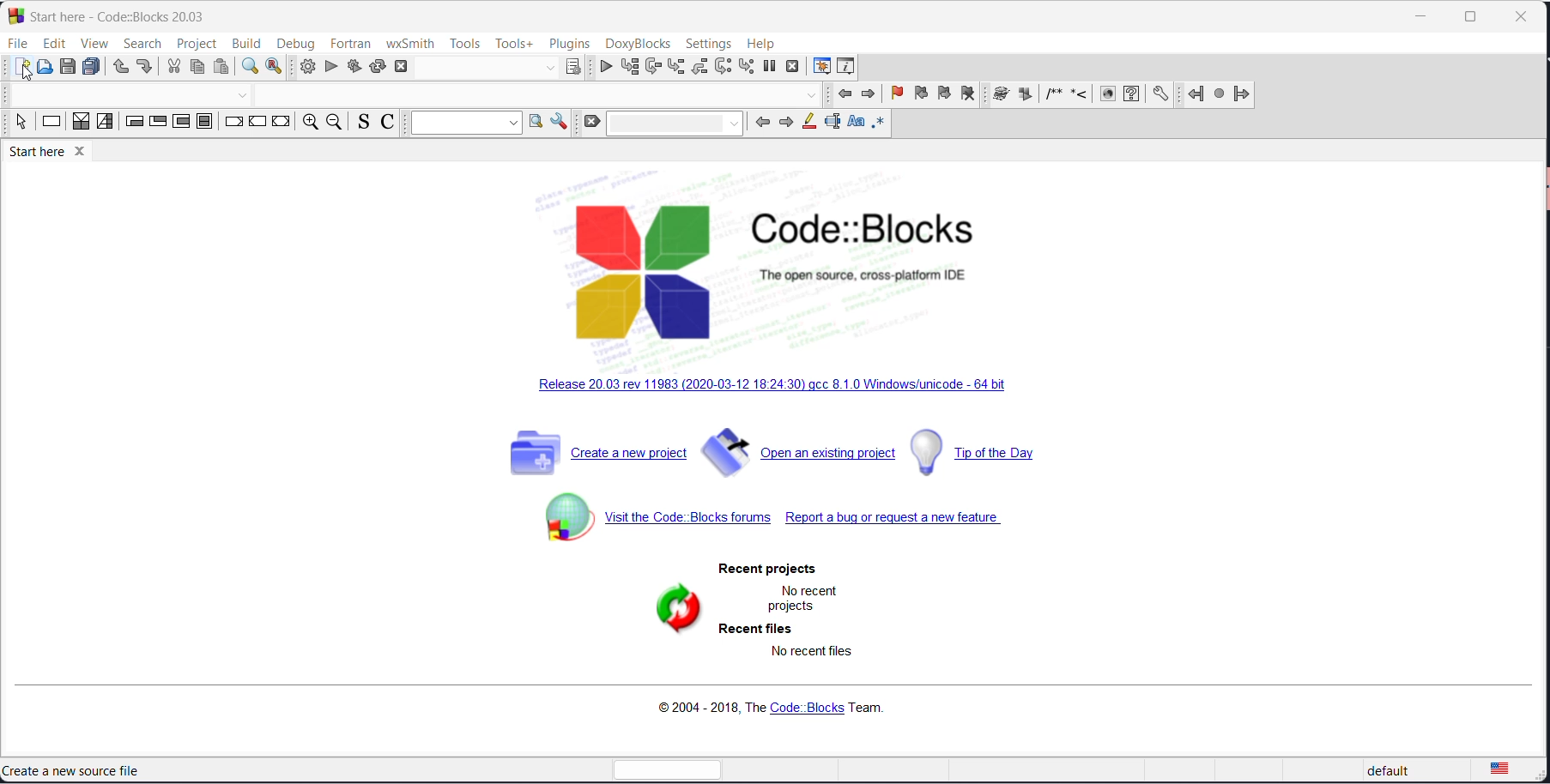 Image resolution: width=1550 pixels, height=784 pixels. Describe the element at coordinates (605, 69) in the screenshot. I see `debug/continue` at that location.